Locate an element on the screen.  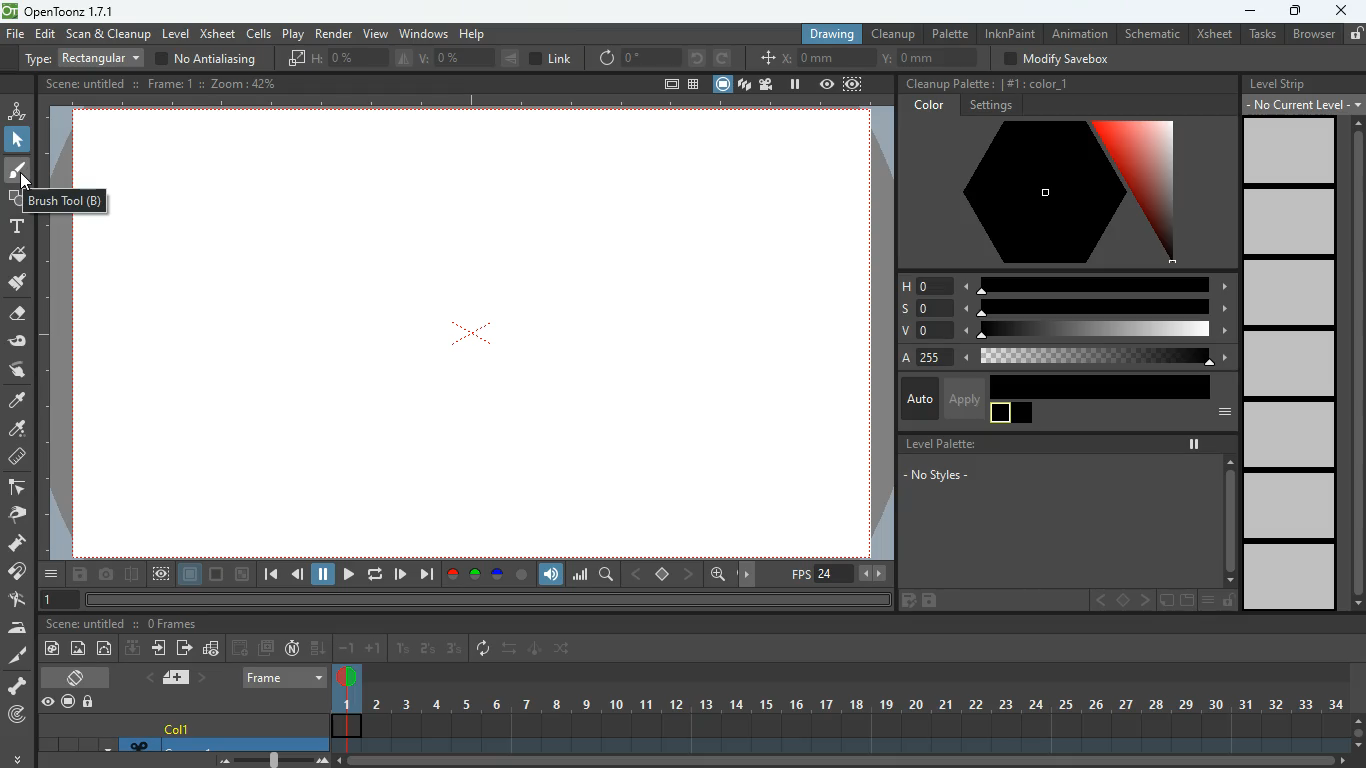
vertical scale is located at coordinates (55, 396).